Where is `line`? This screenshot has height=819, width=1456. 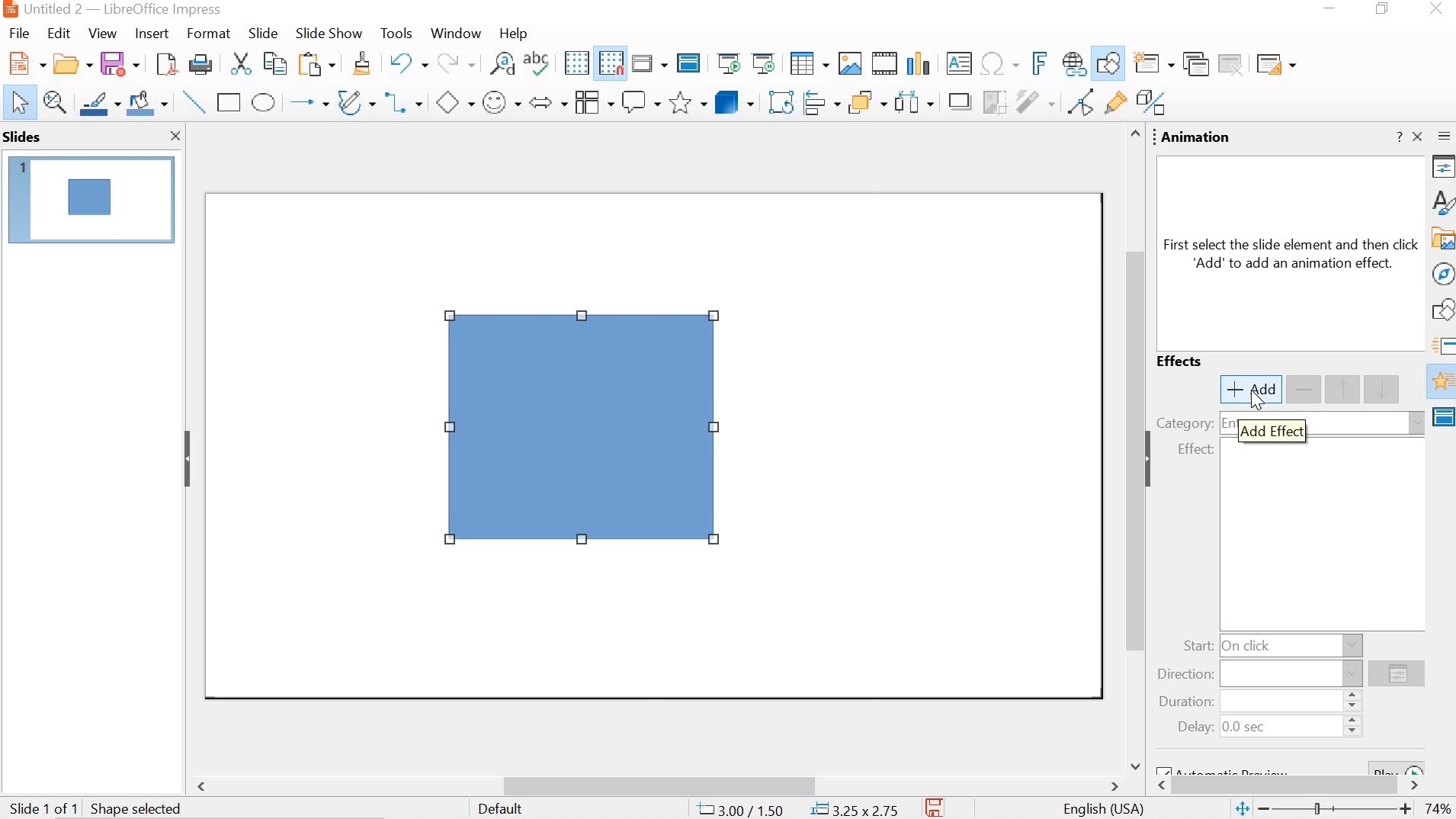
line is located at coordinates (192, 101).